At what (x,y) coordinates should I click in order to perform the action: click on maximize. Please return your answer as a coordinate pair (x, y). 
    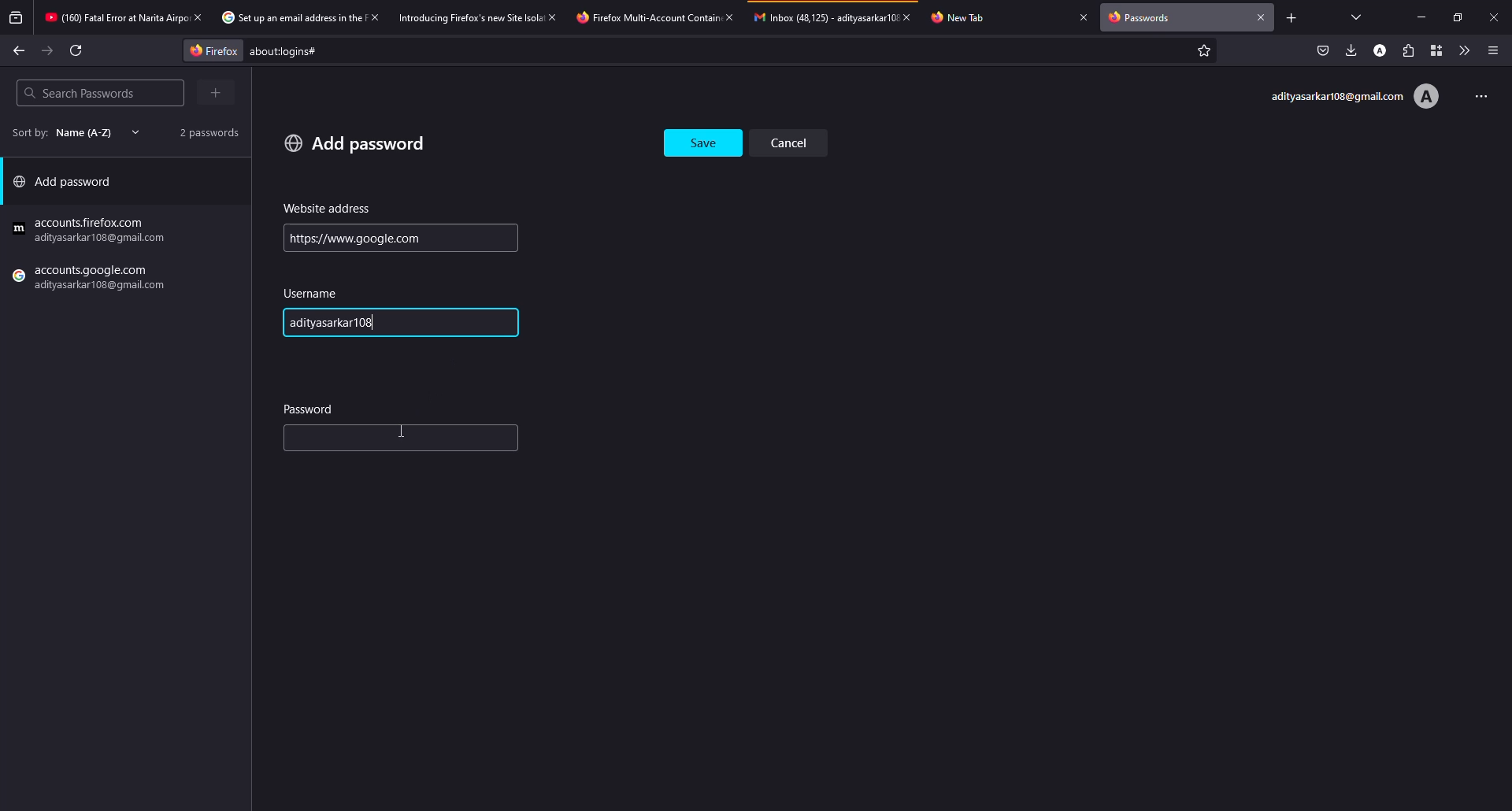
    Looking at the image, I should click on (1454, 17).